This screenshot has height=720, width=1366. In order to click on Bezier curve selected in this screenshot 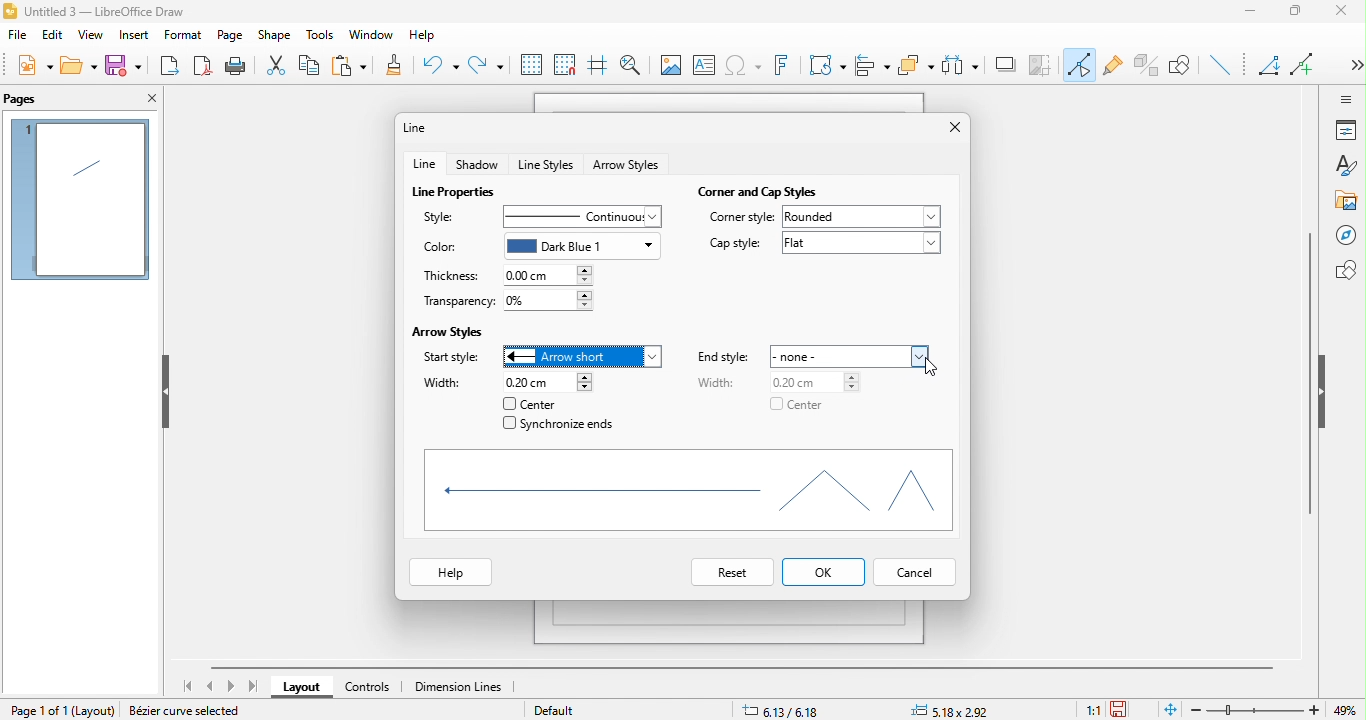, I will do `click(191, 712)`.